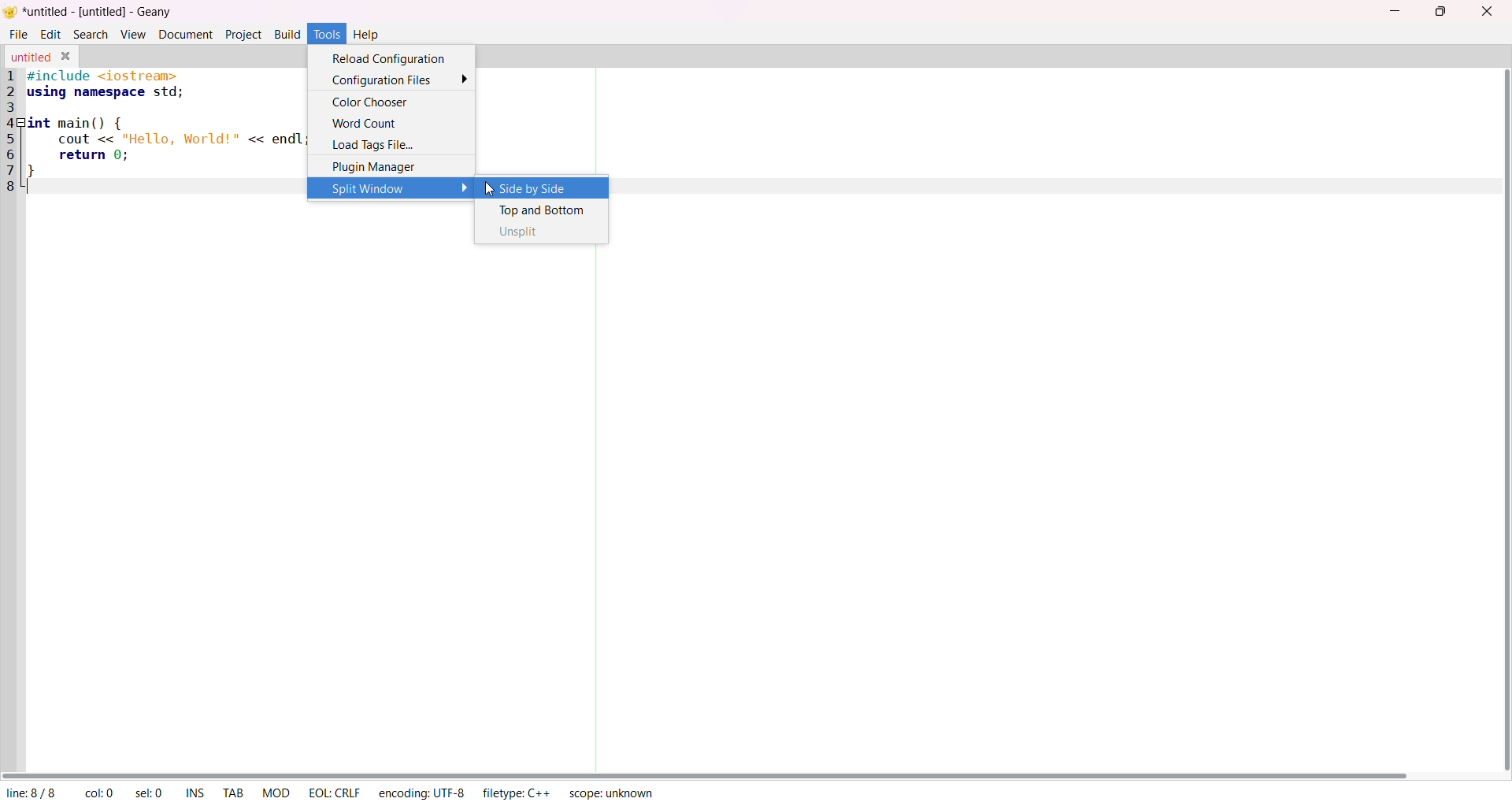  What do you see at coordinates (277, 792) in the screenshot?
I see `MOD` at bounding box center [277, 792].